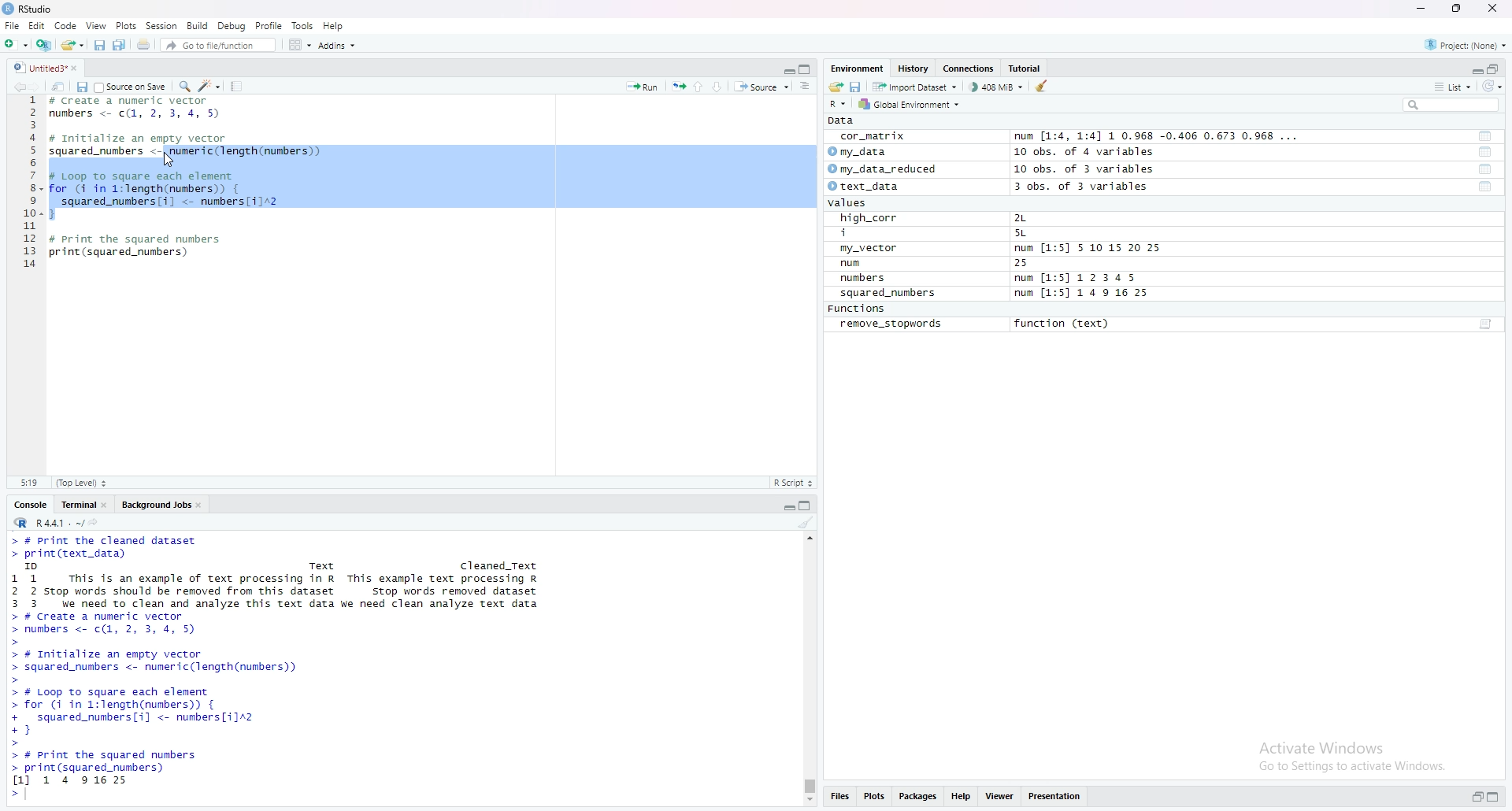 The image size is (1512, 811). What do you see at coordinates (1000, 798) in the screenshot?
I see `Viewer` at bounding box center [1000, 798].